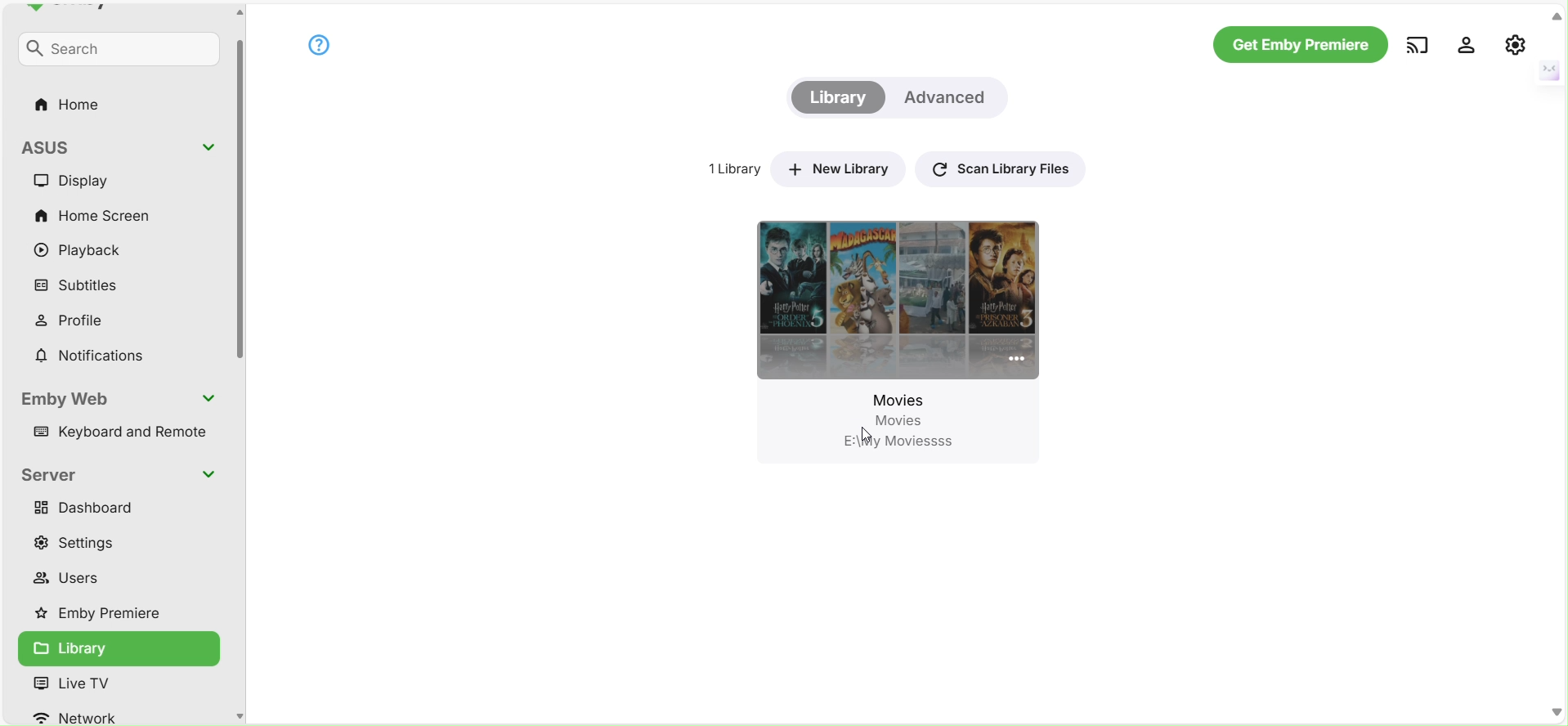 The image size is (1568, 726). What do you see at coordinates (98, 717) in the screenshot?
I see `networks` at bounding box center [98, 717].